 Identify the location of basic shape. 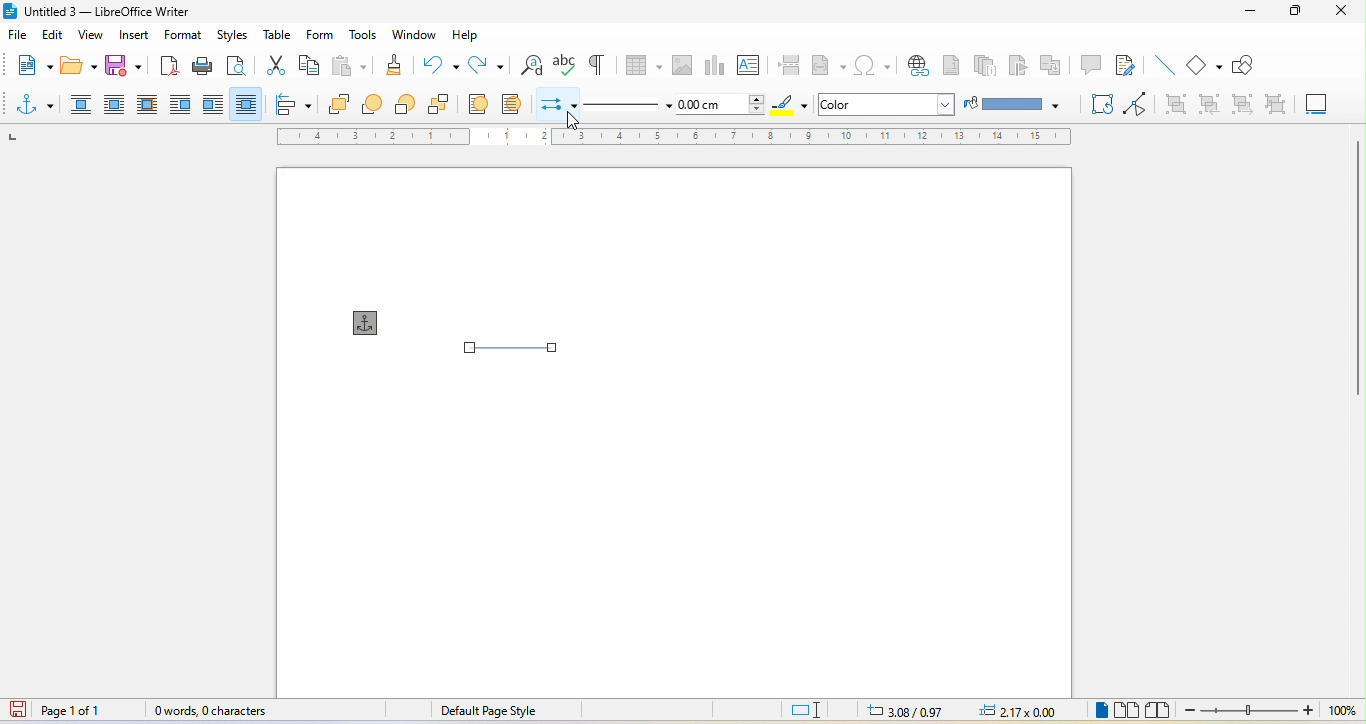
(1204, 63).